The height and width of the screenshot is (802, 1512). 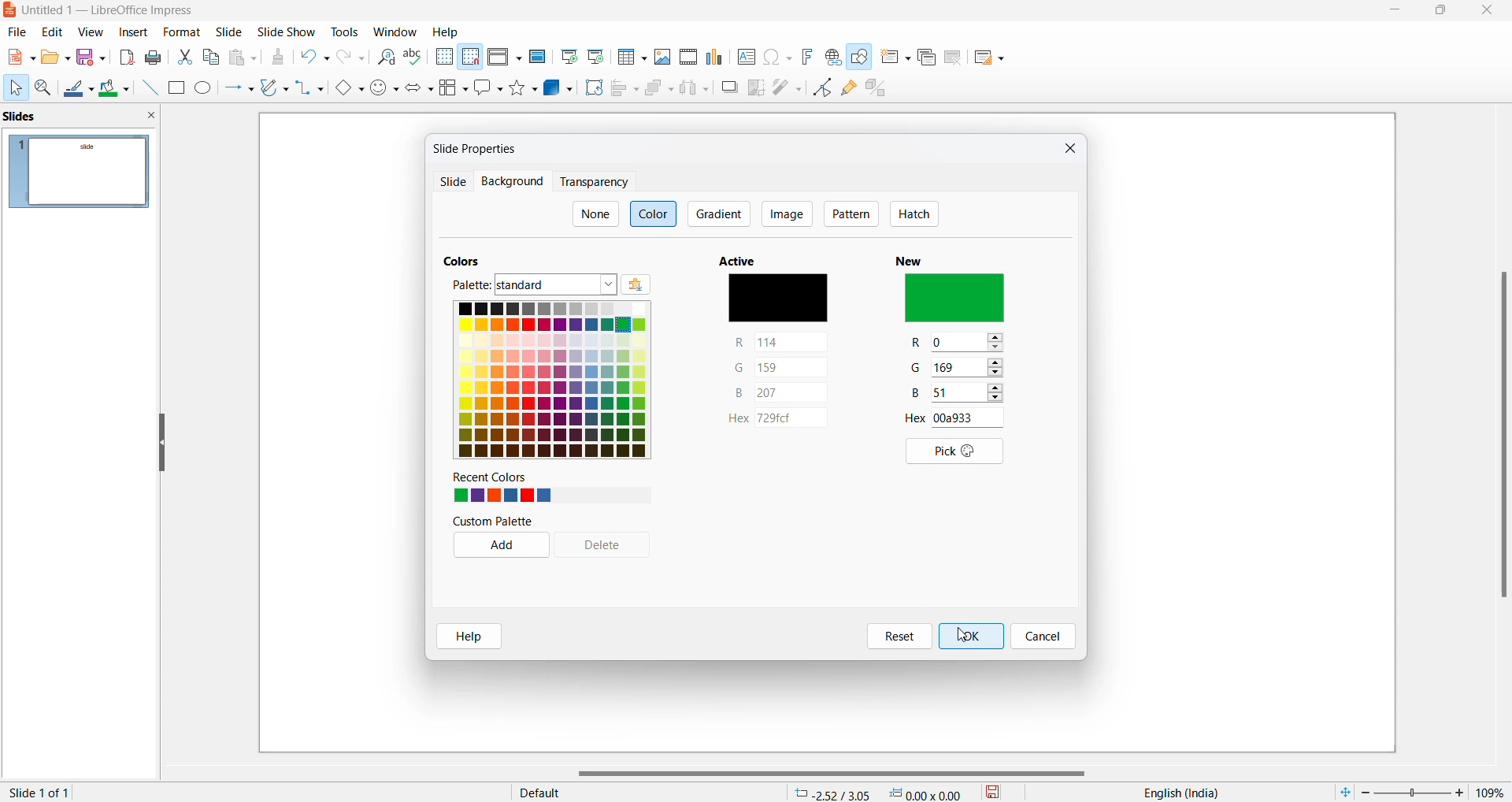 I want to click on start from first slide, so click(x=568, y=57).